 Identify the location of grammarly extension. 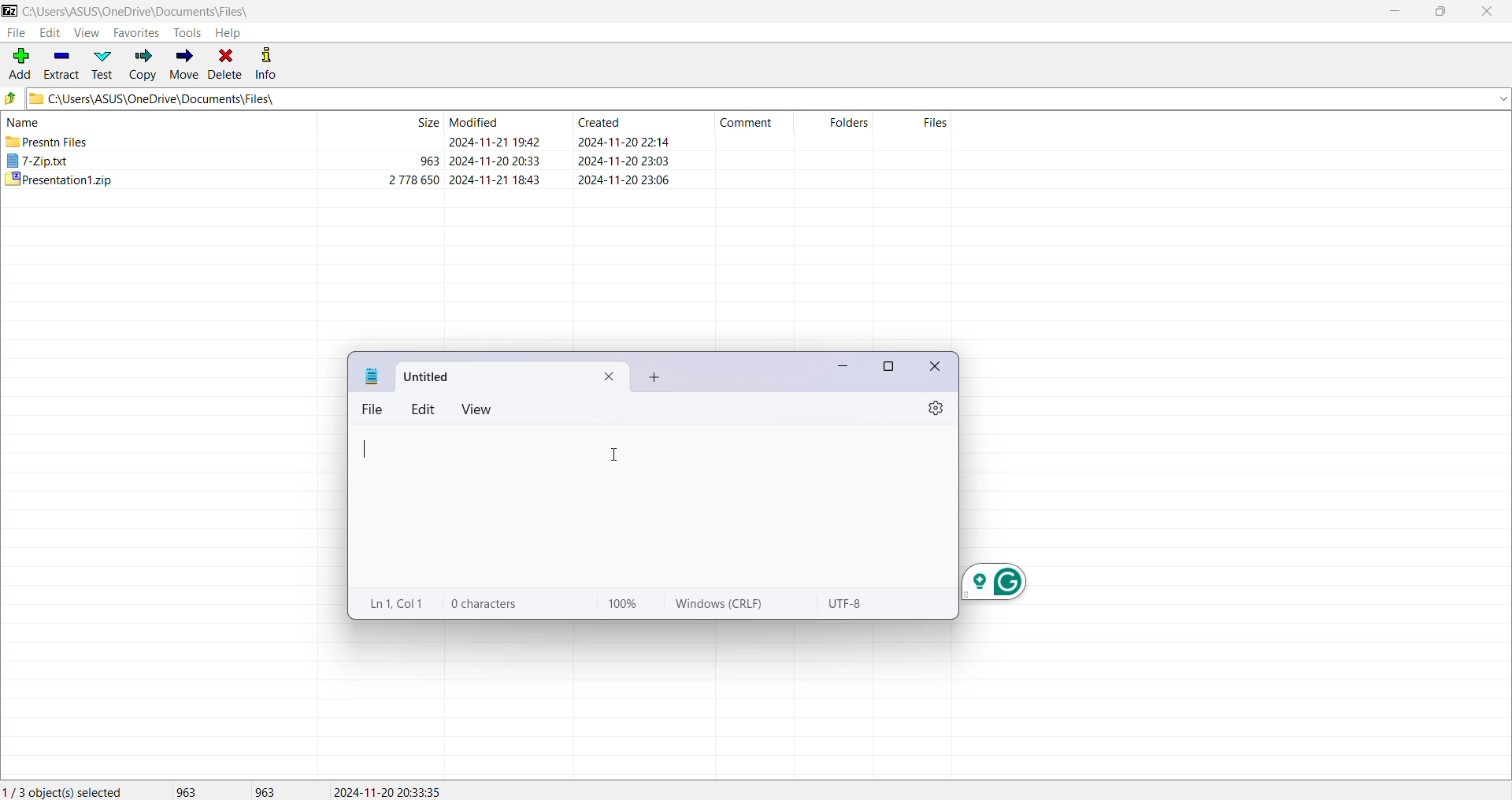
(995, 581).